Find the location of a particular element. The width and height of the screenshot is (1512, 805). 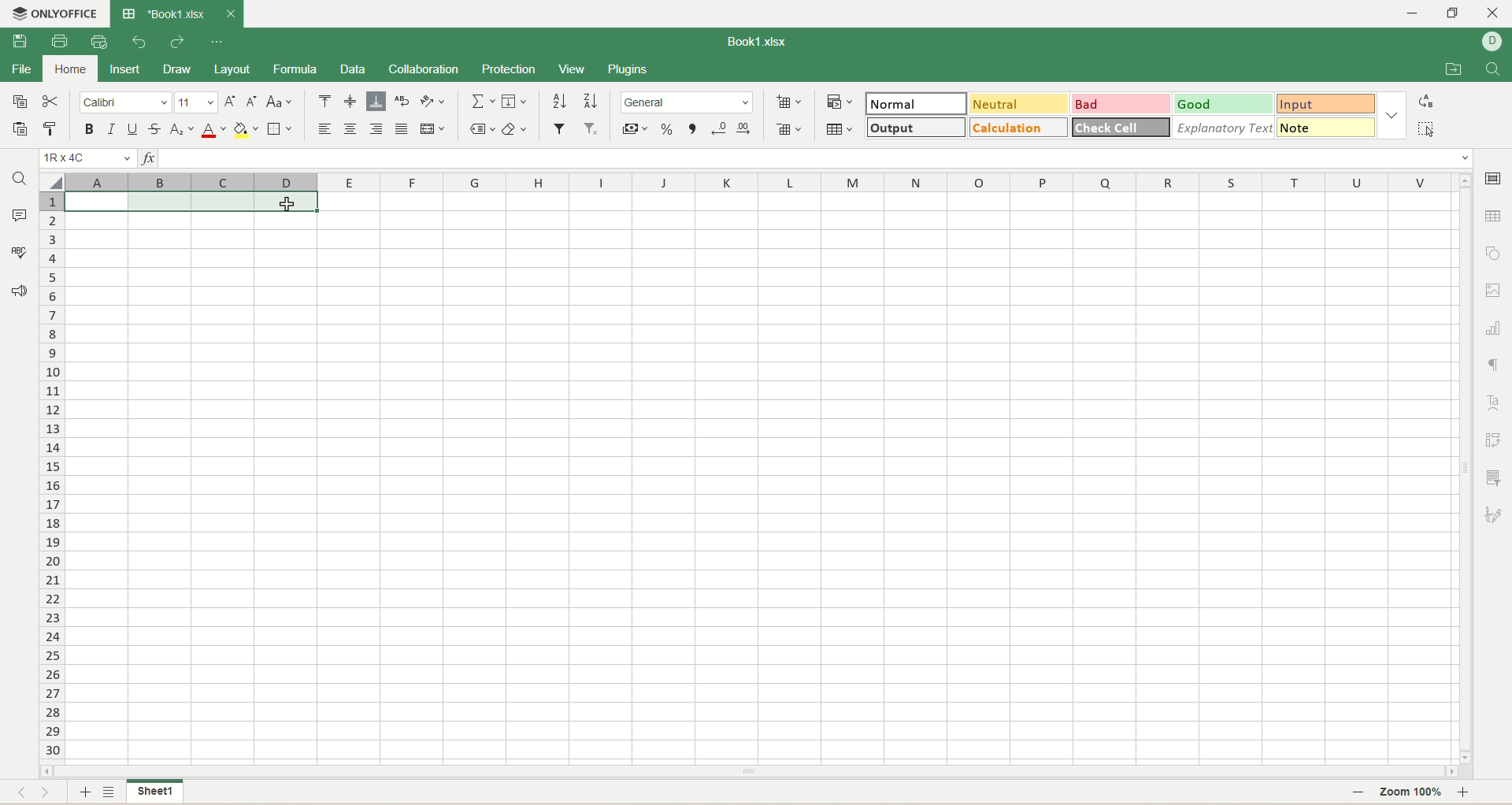

maximize is located at coordinates (1457, 12).